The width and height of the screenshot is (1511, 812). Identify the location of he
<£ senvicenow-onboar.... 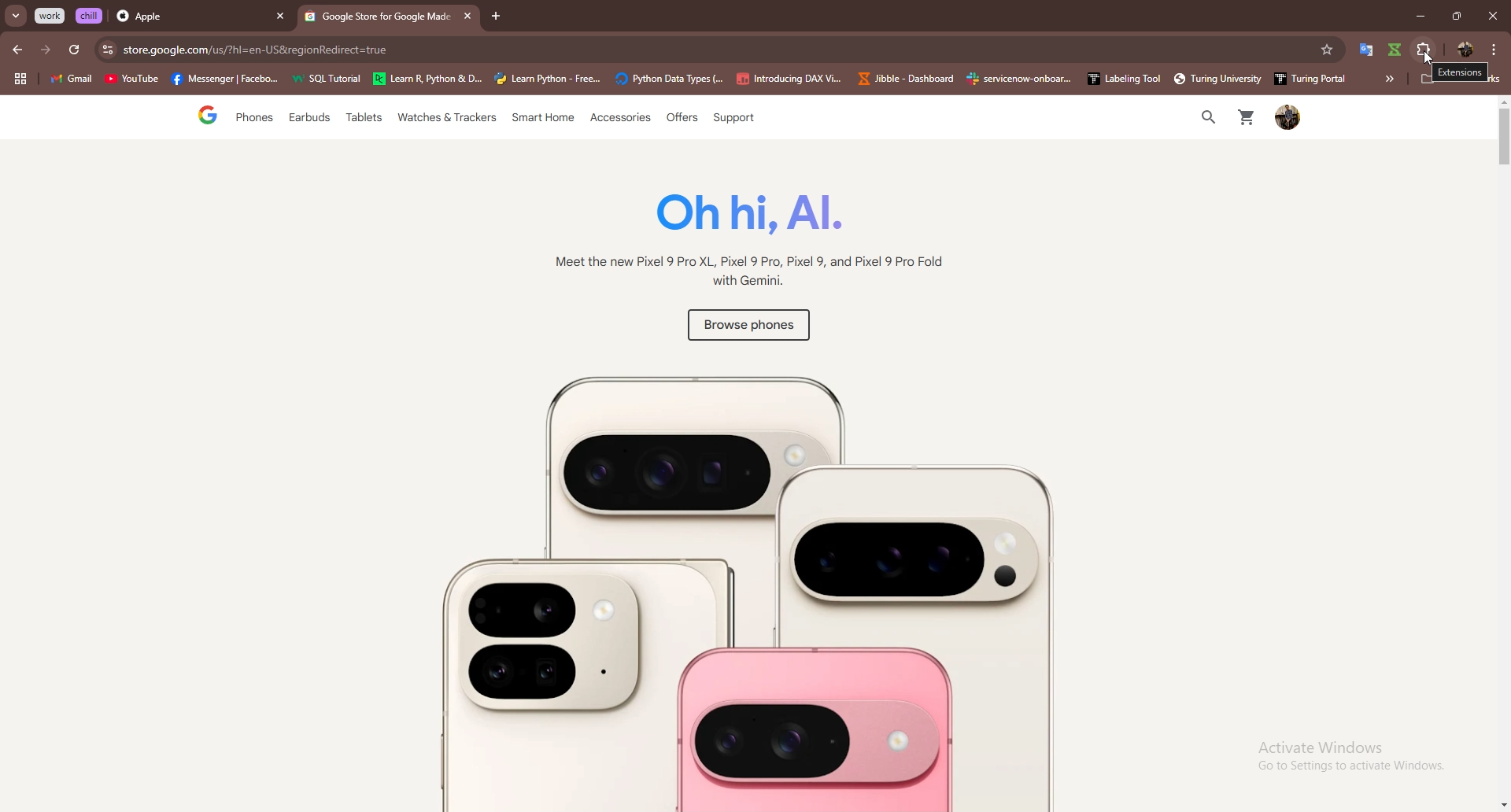
(1020, 79).